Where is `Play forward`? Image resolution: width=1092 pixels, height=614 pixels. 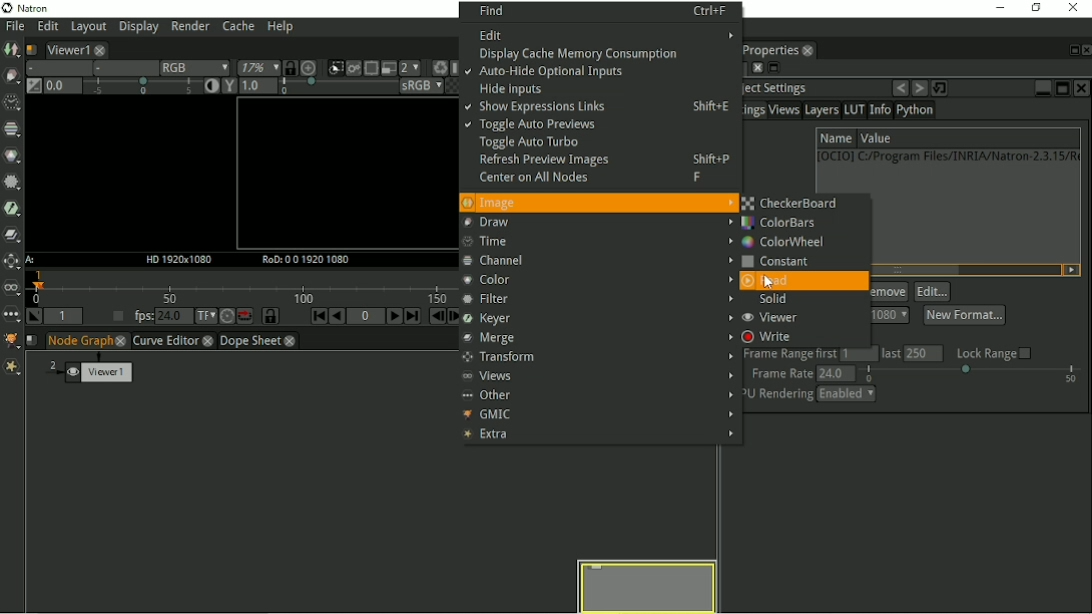 Play forward is located at coordinates (391, 316).